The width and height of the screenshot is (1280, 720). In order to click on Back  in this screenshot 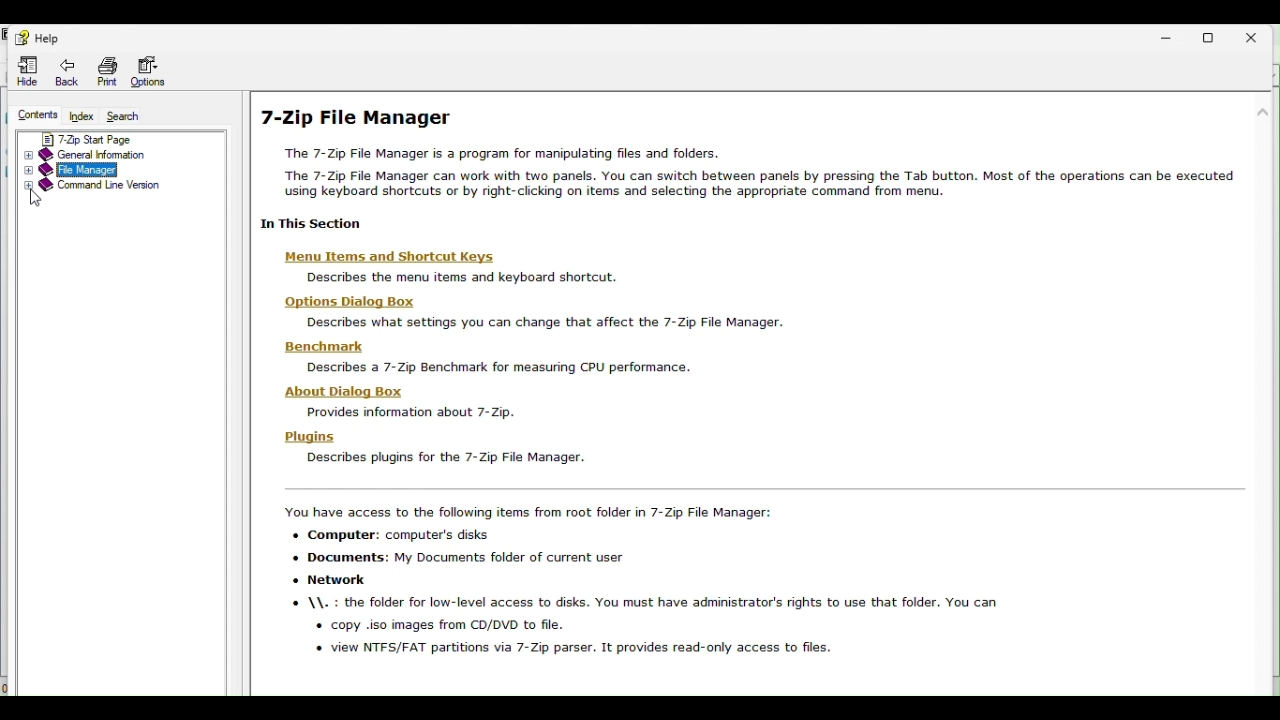, I will do `click(67, 72)`.